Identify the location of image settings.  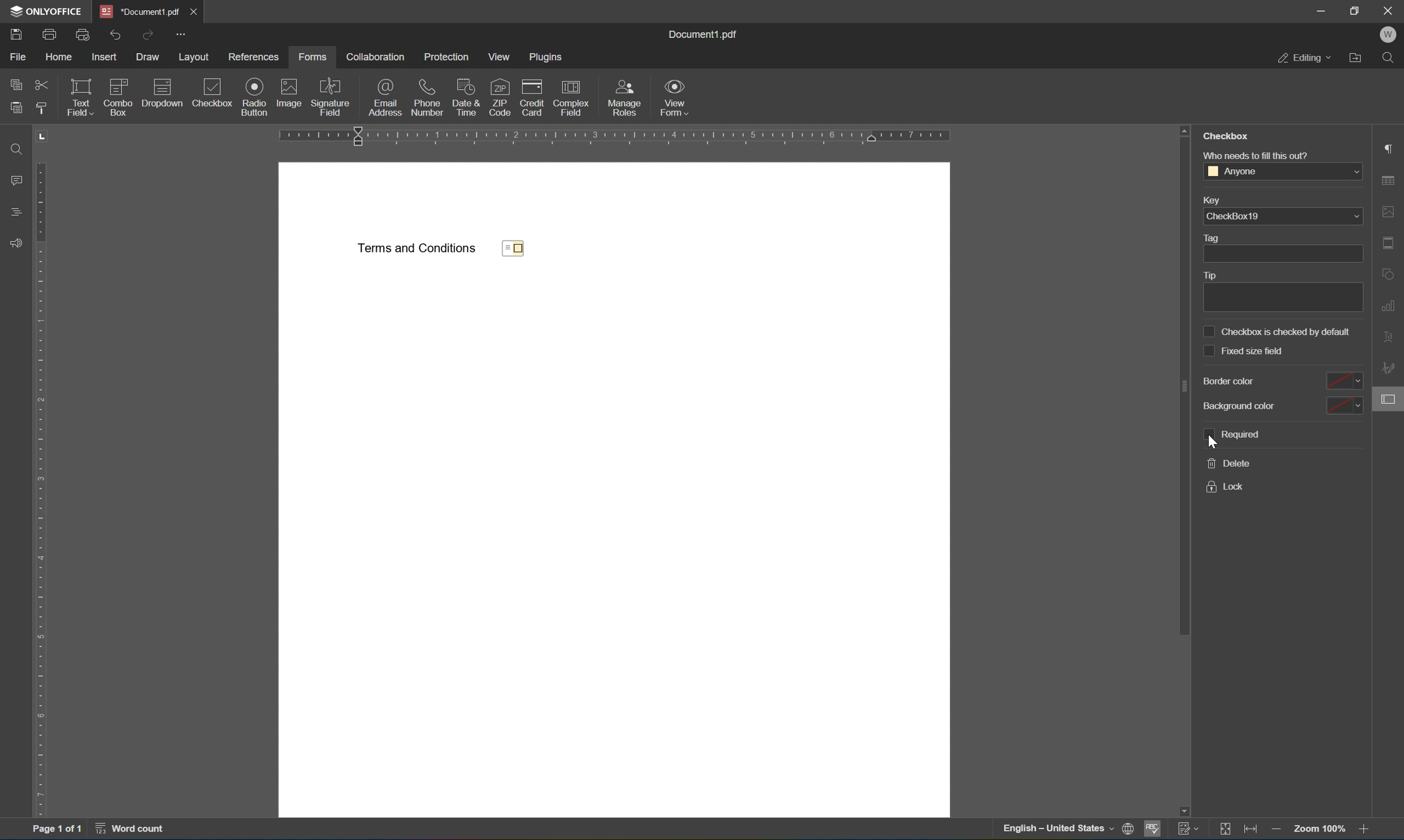
(1391, 212).